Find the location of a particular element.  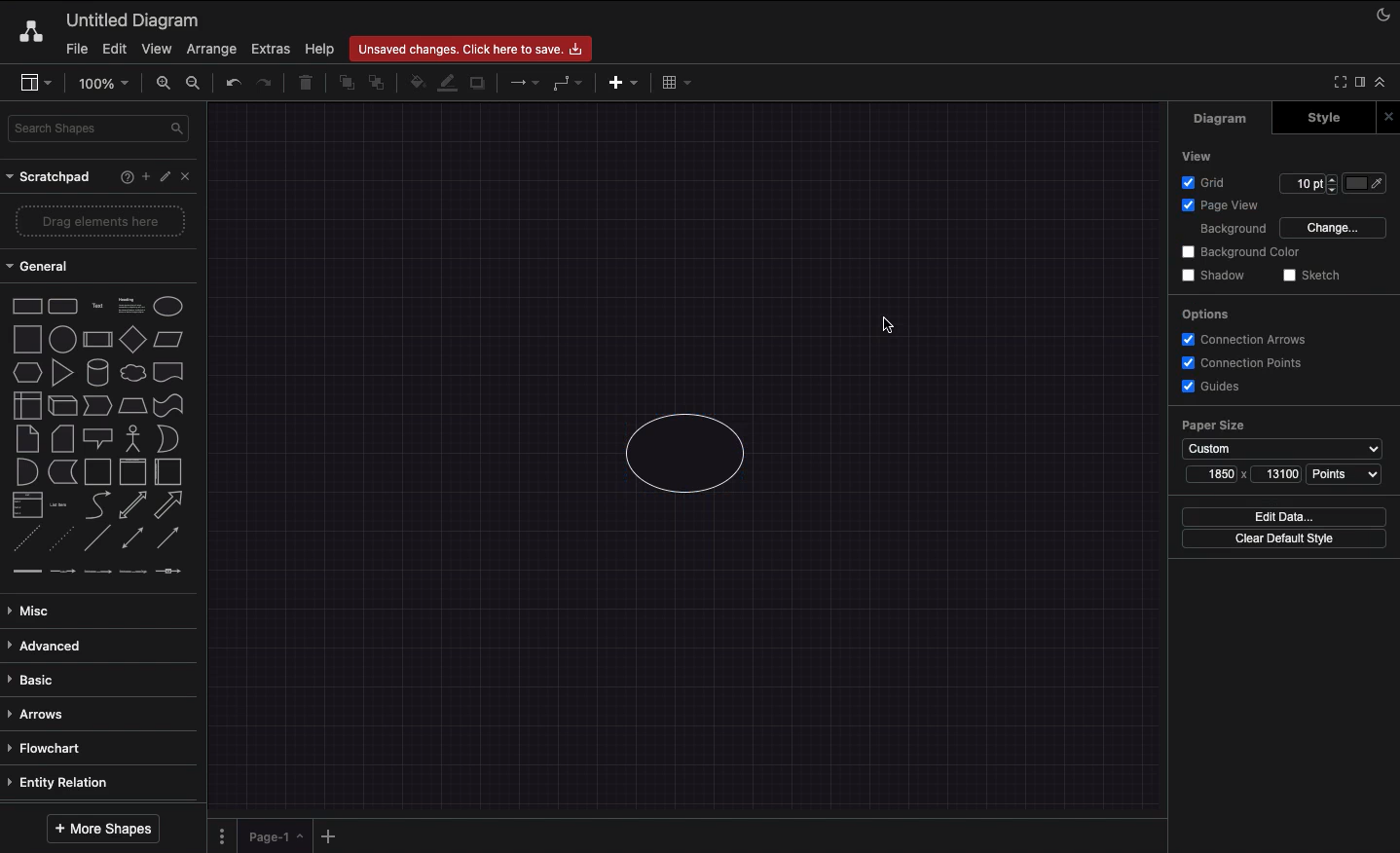

Step is located at coordinates (97, 406).